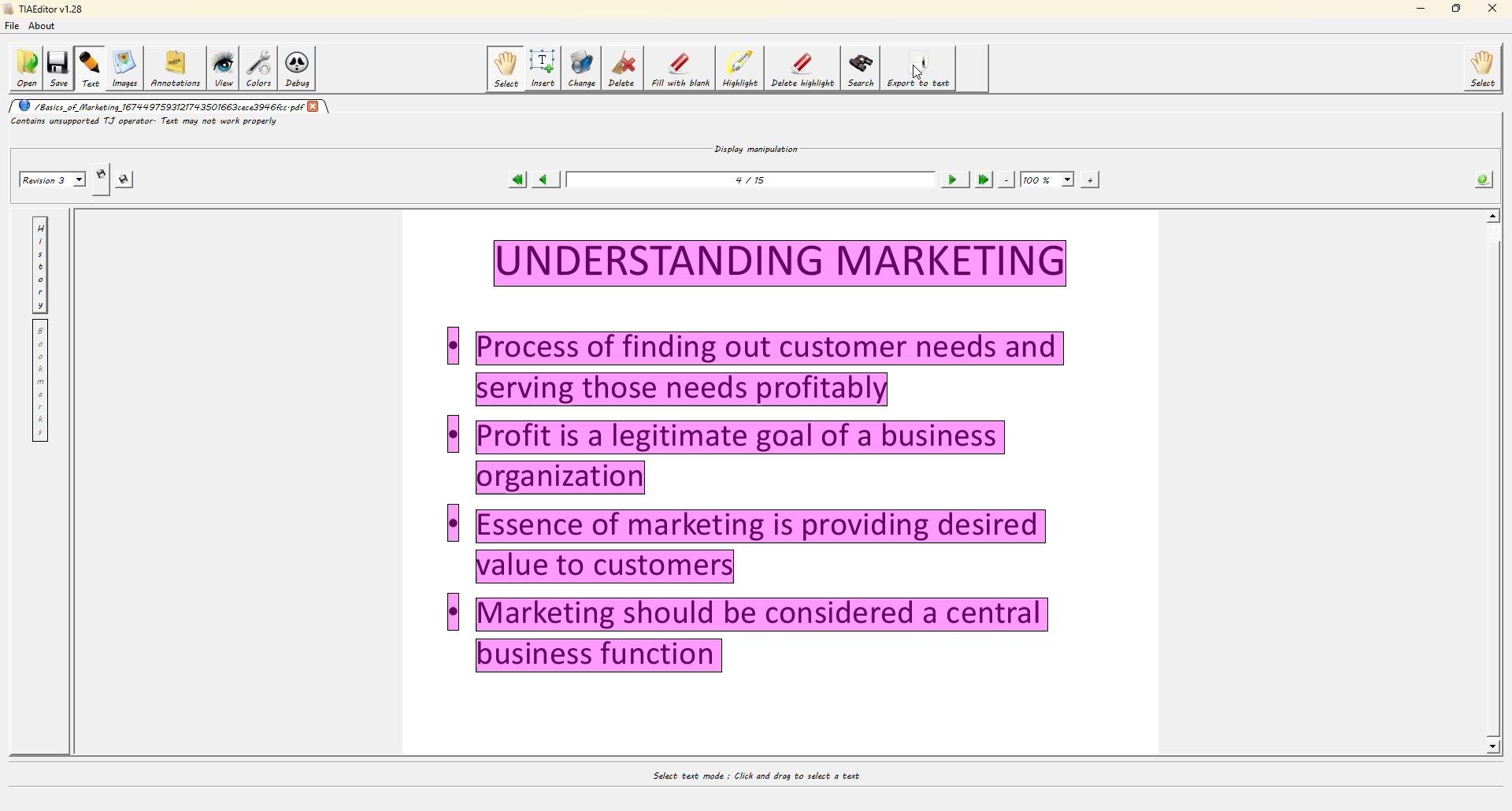 This screenshot has width=1512, height=811. I want to click on fill with blank, so click(680, 69).